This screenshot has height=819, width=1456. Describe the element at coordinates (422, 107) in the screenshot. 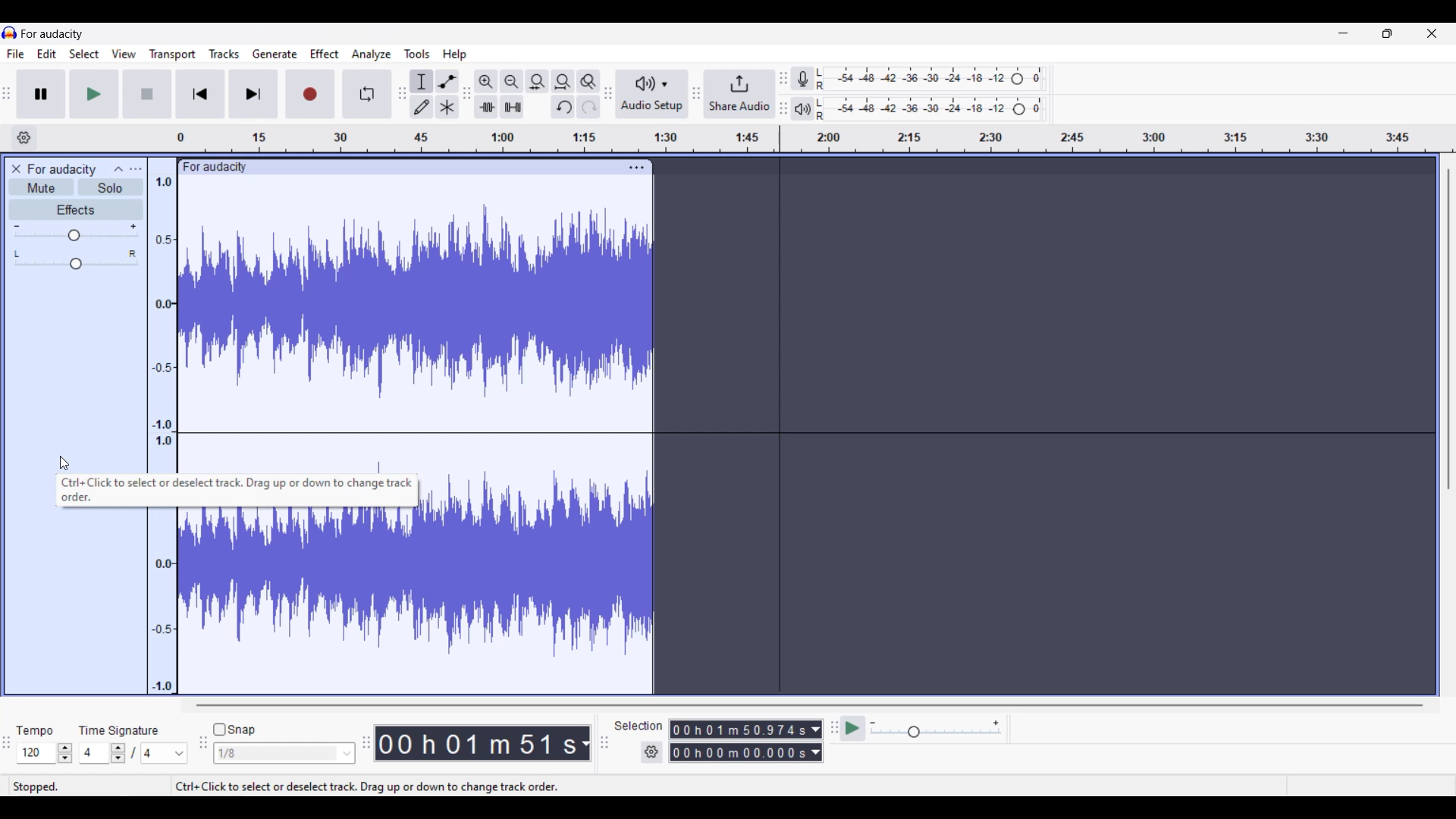

I see `Draw tool` at that location.